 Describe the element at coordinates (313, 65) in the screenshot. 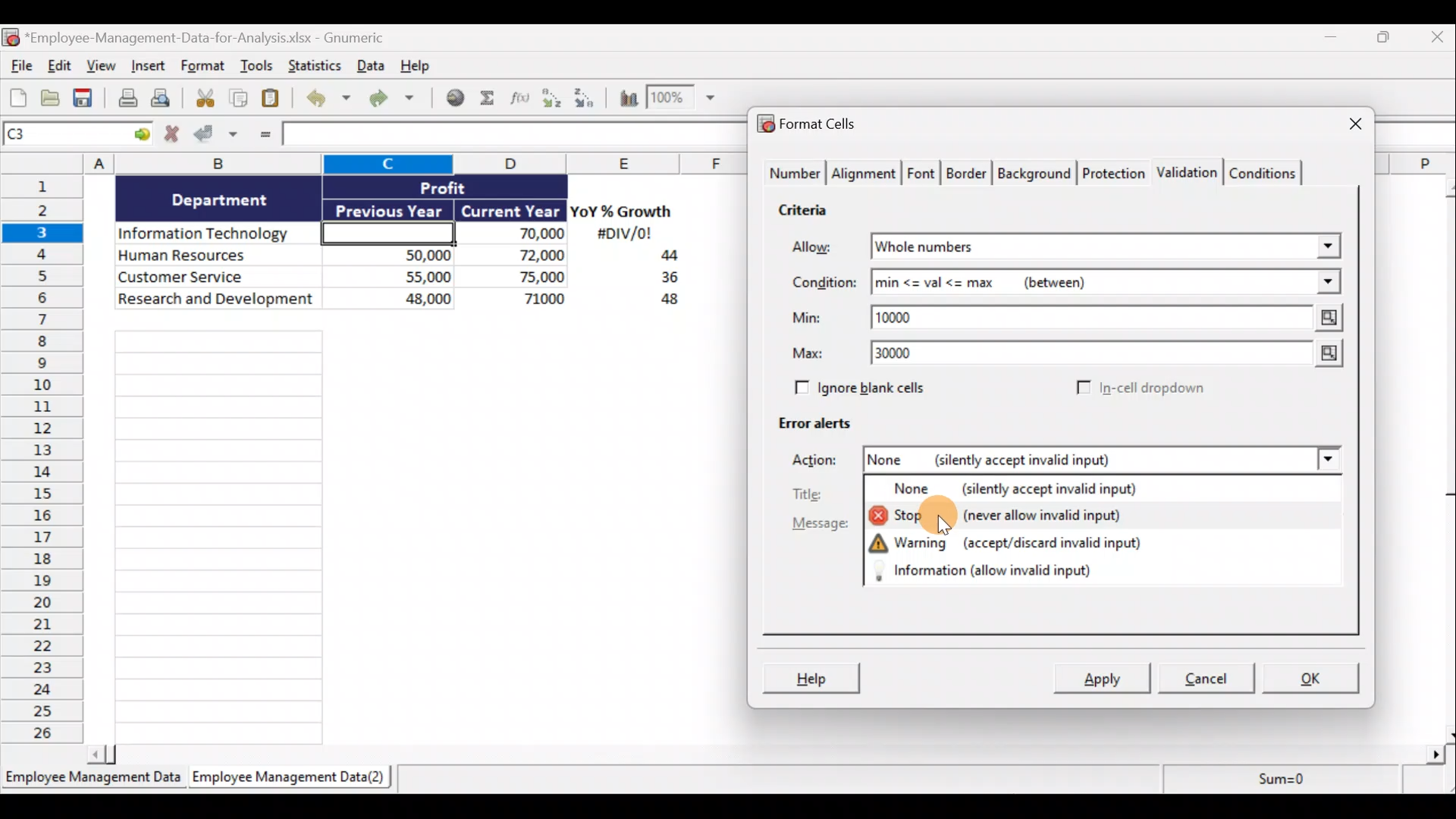

I see `Statistics` at that location.